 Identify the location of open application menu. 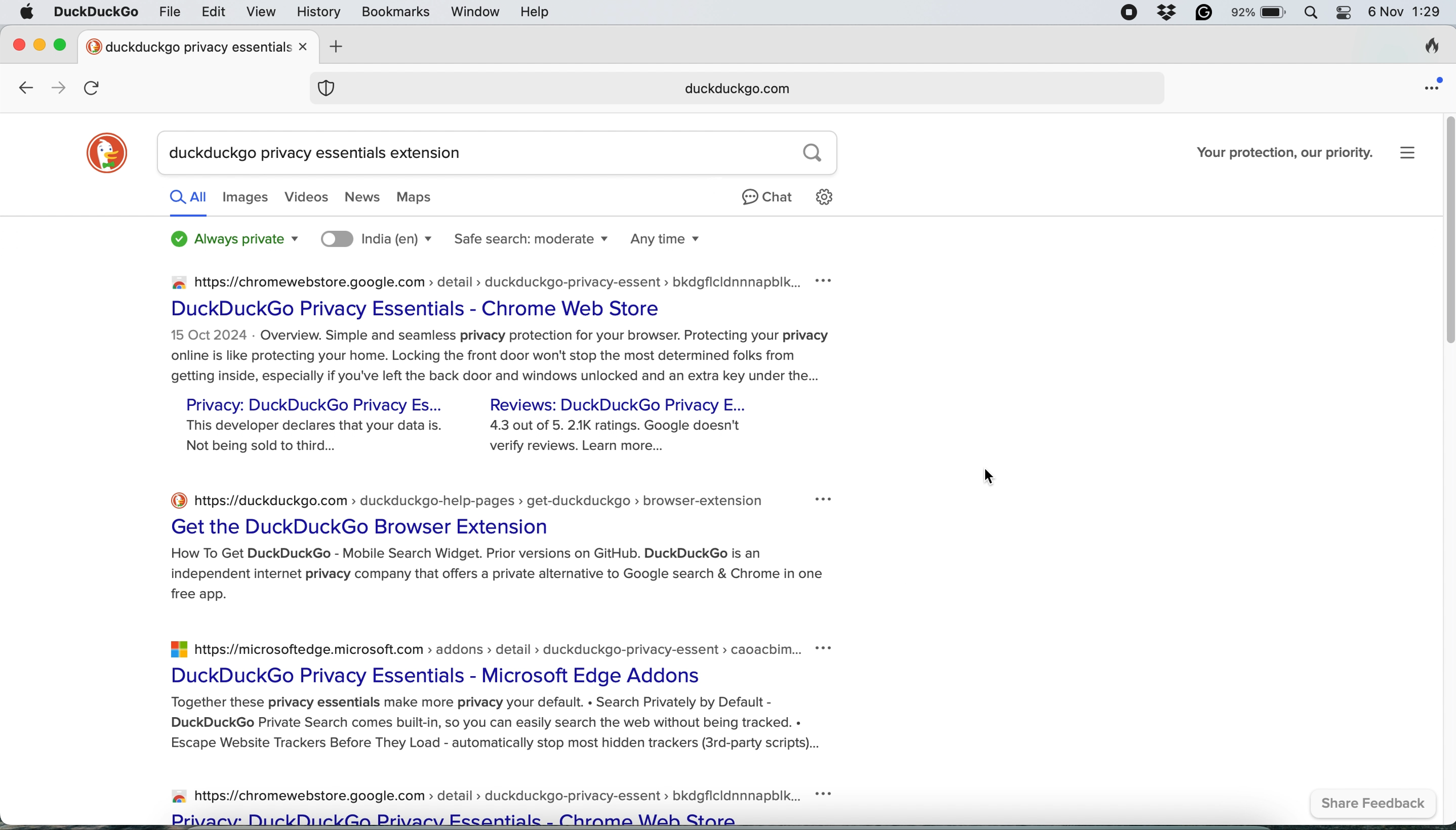
(1438, 80).